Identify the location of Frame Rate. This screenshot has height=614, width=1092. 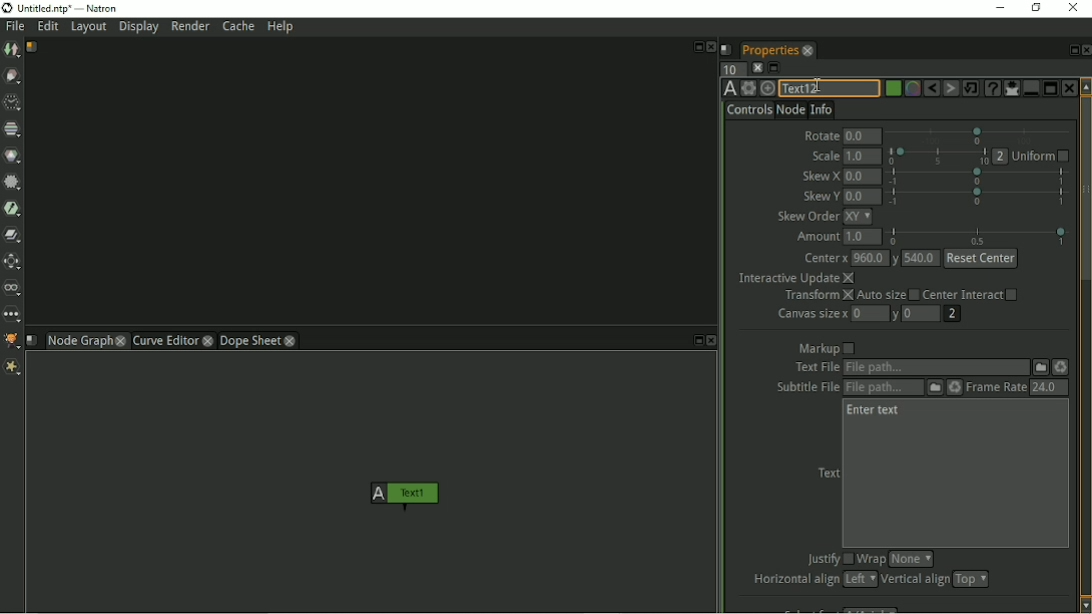
(995, 387).